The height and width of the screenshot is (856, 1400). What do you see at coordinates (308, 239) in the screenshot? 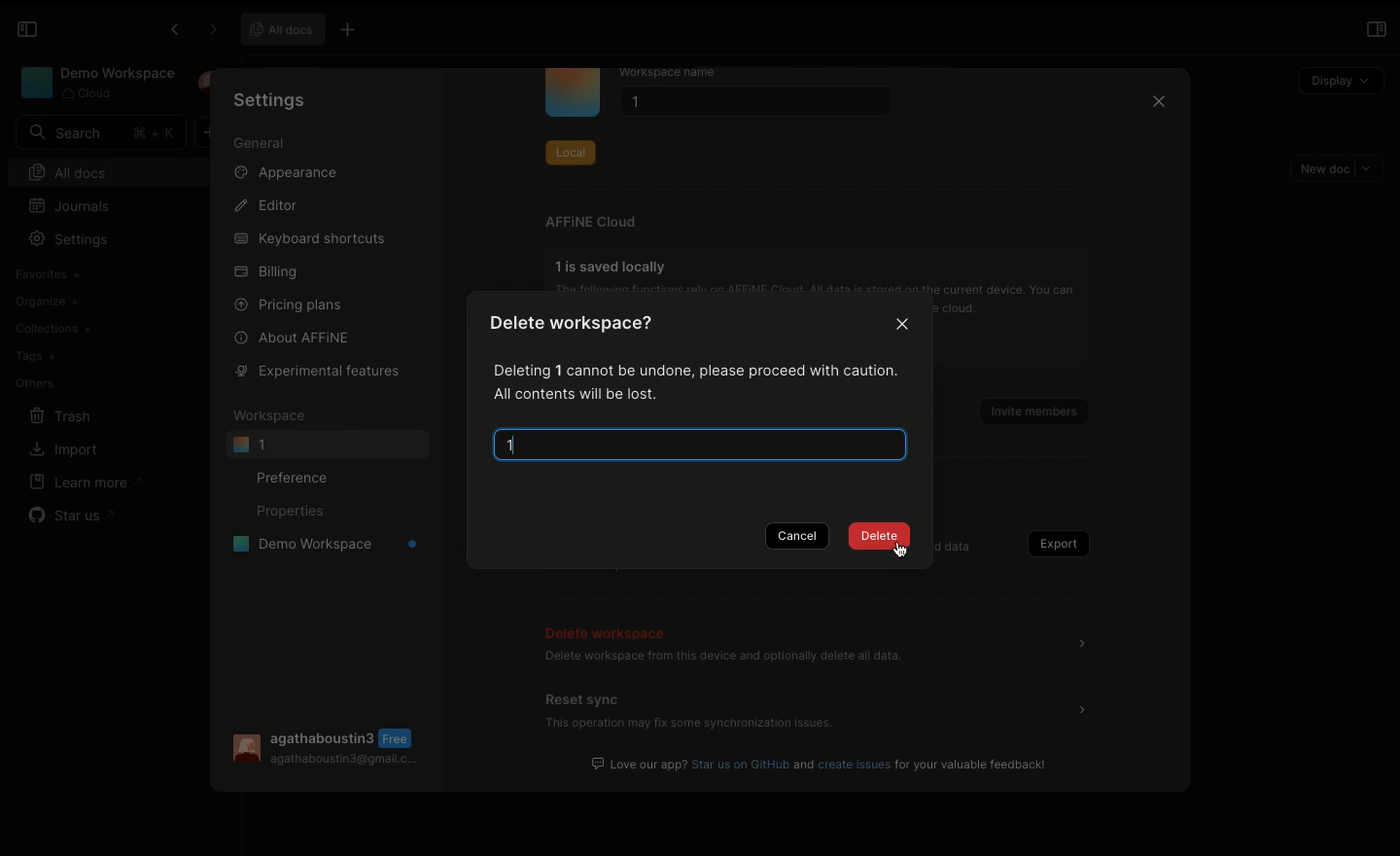
I see `Keyboard shortcuts` at bounding box center [308, 239].